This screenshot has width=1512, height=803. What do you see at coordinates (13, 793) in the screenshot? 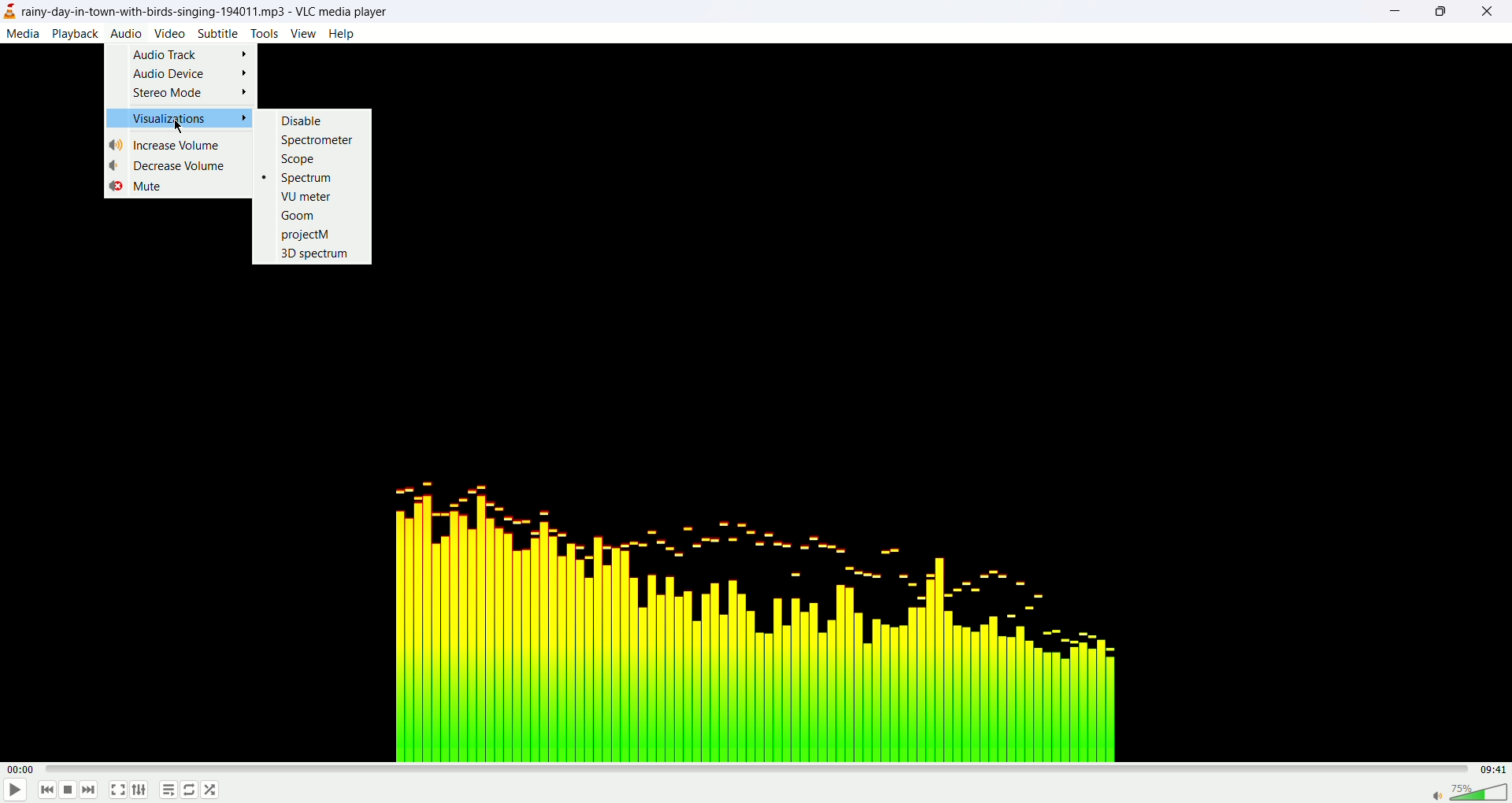
I see `play/pause` at bounding box center [13, 793].